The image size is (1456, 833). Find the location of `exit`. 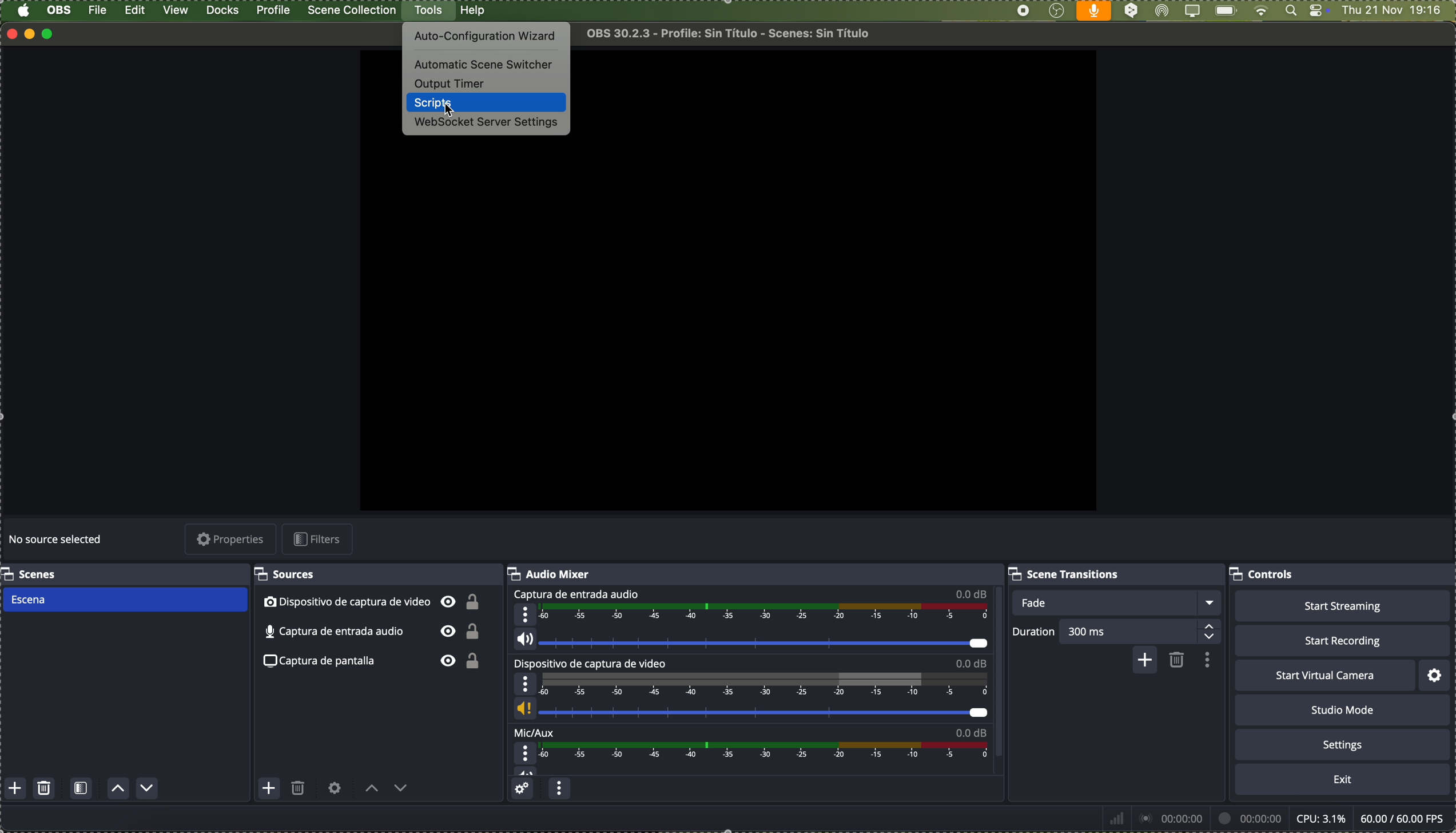

exit is located at coordinates (1343, 780).